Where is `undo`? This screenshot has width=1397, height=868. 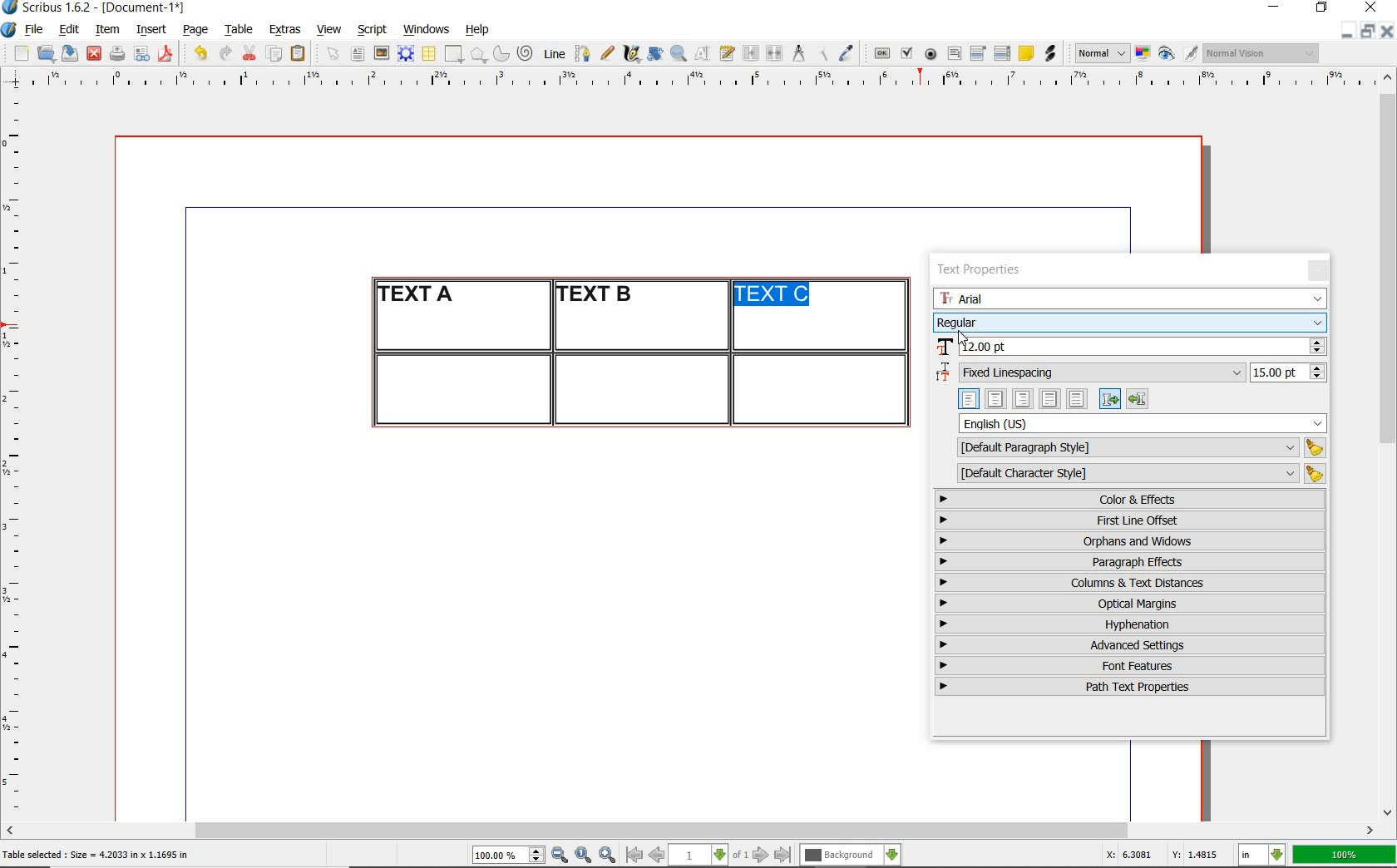 undo is located at coordinates (200, 53).